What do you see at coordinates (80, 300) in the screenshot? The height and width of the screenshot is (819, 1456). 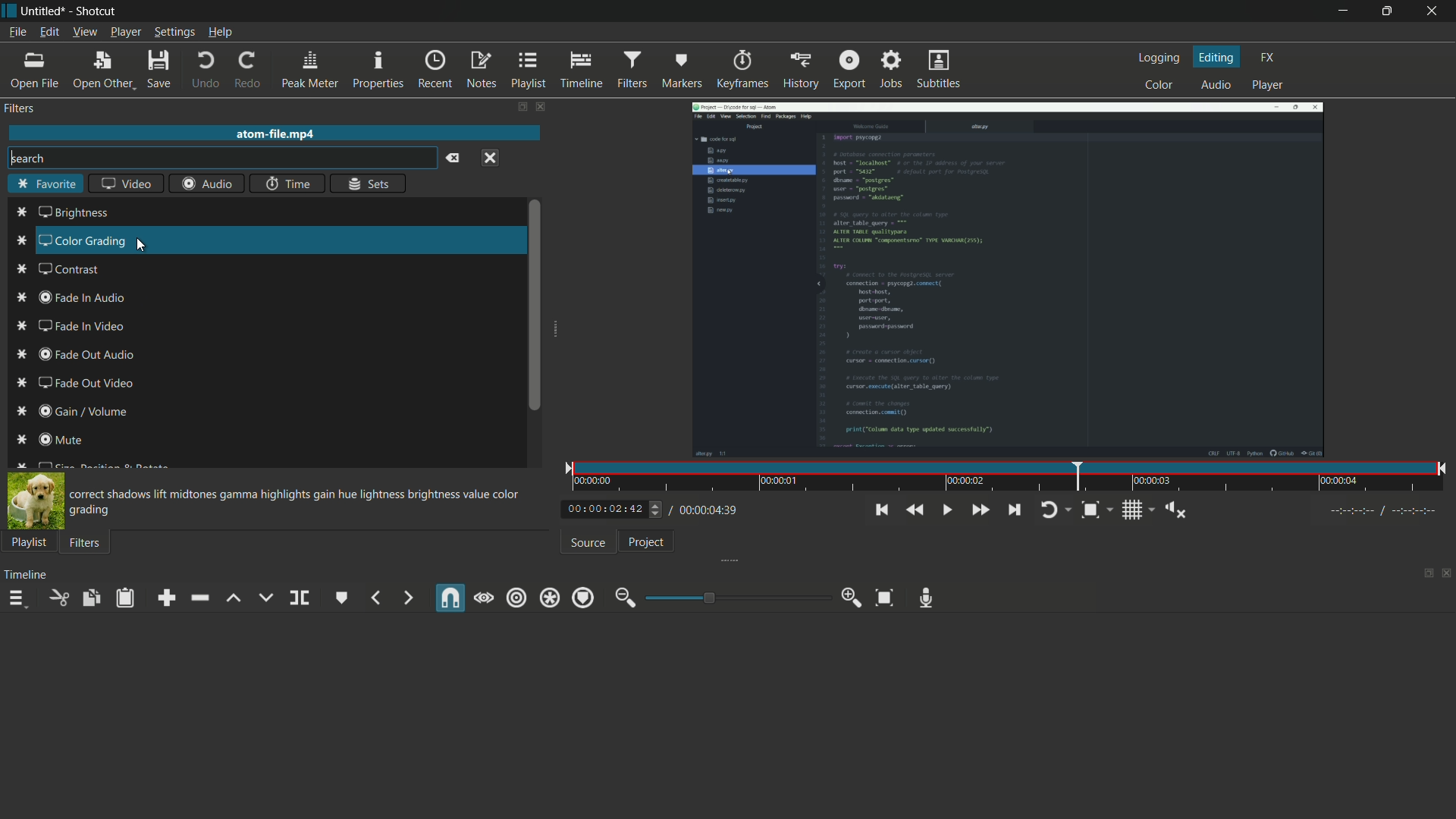 I see `fade in audio` at bounding box center [80, 300].